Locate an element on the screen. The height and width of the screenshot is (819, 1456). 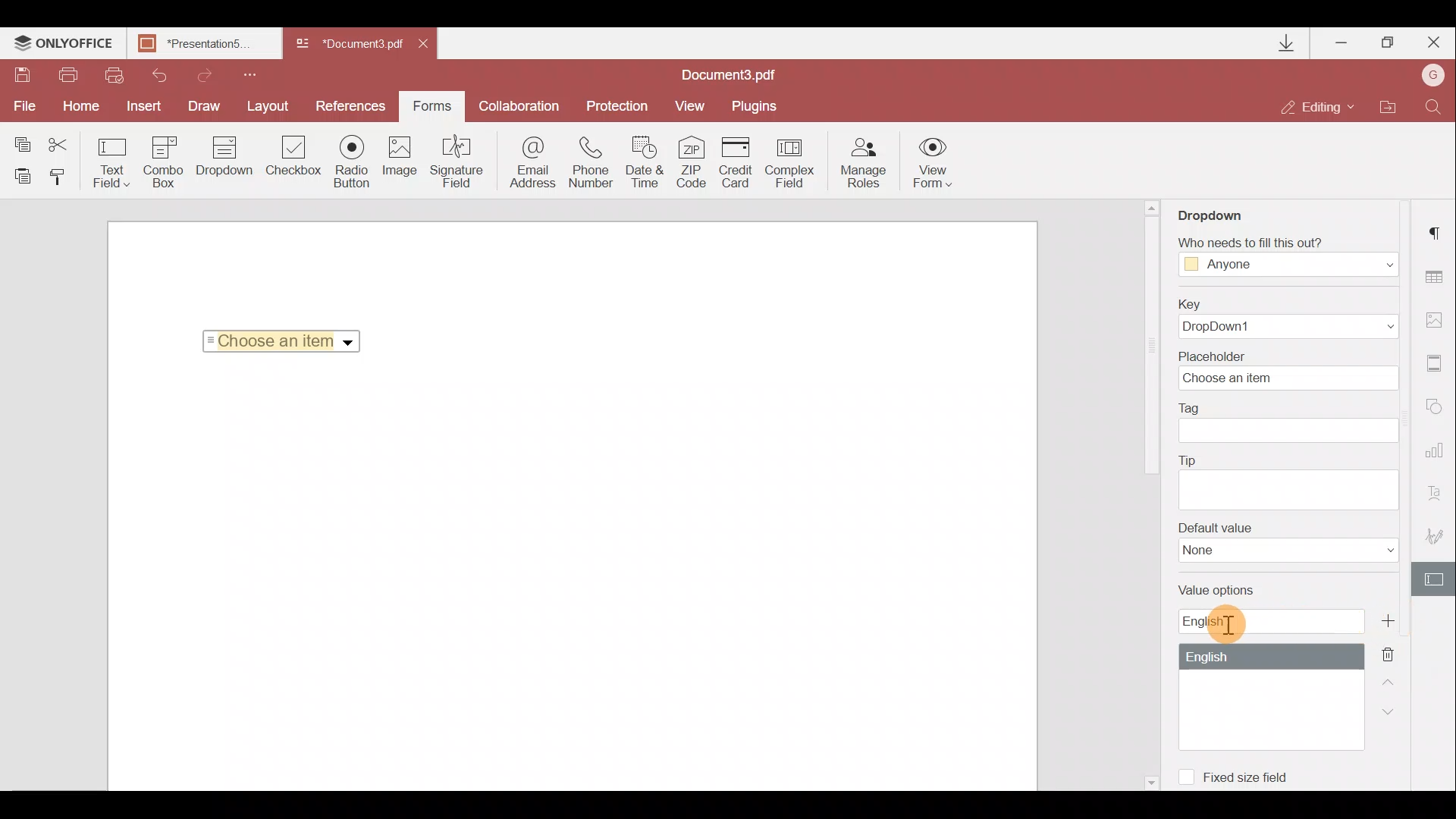
Copy style is located at coordinates (62, 176).